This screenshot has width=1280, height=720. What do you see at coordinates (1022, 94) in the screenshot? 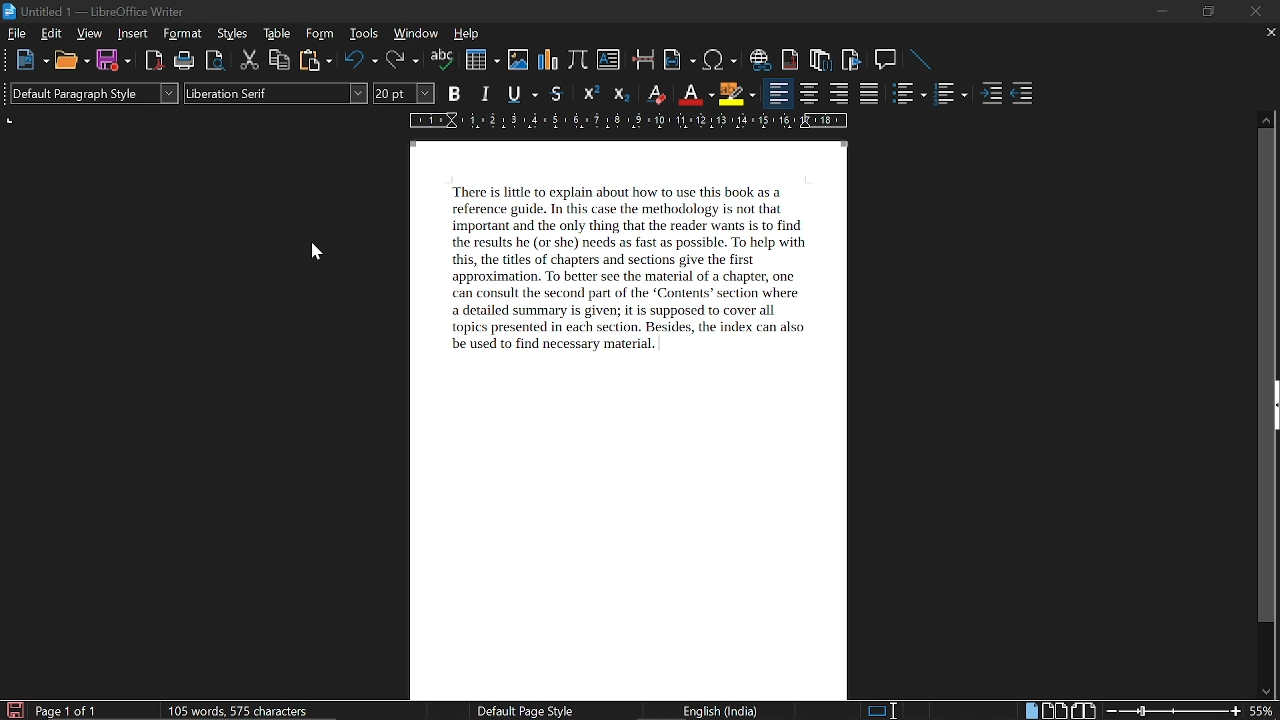
I see `decrease indent` at bounding box center [1022, 94].